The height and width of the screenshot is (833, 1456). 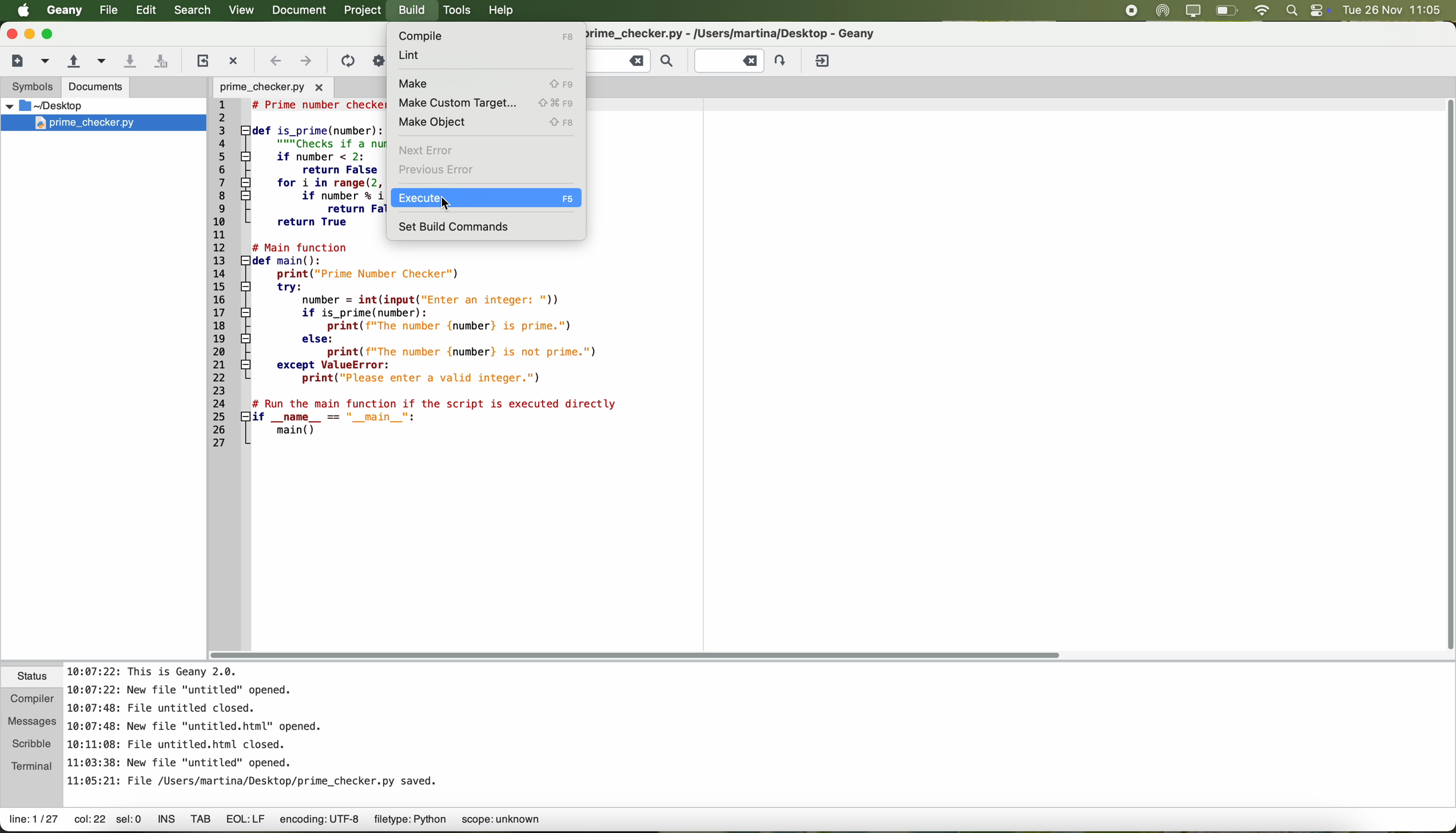 I want to click on navigate back, so click(x=276, y=61).